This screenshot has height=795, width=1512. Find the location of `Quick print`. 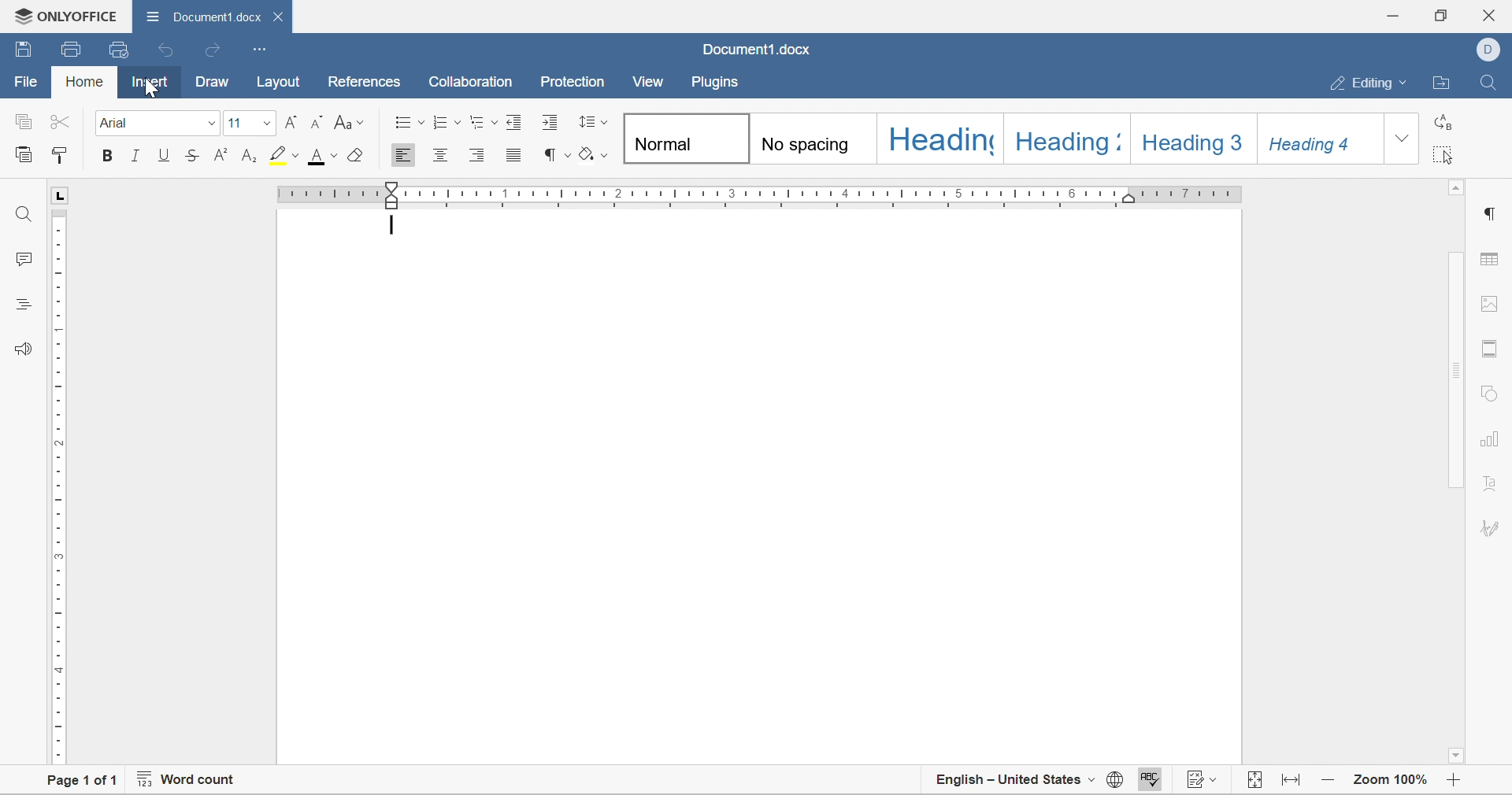

Quick print is located at coordinates (117, 47).